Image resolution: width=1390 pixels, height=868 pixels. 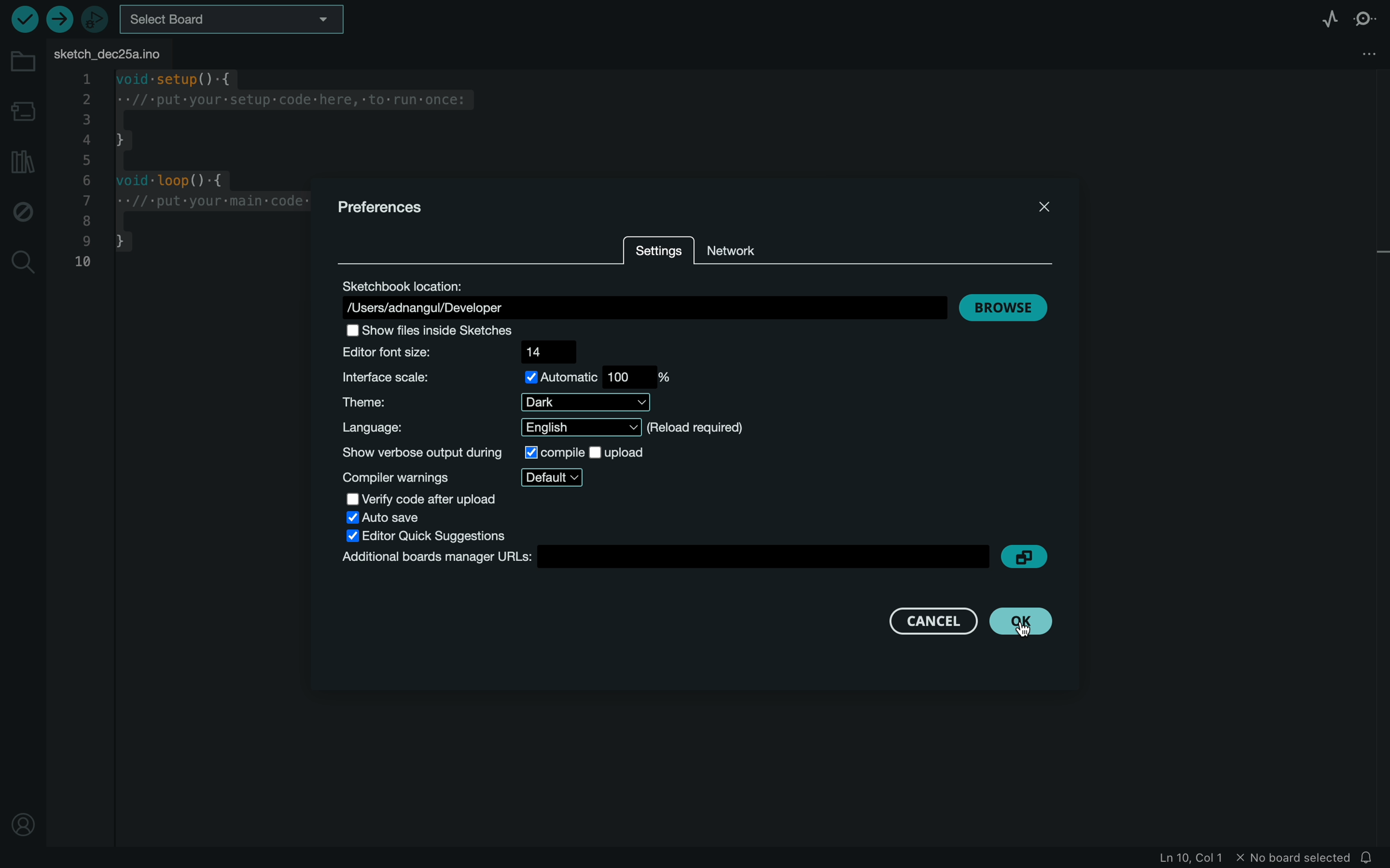 What do you see at coordinates (1329, 17) in the screenshot?
I see `serial  plotter` at bounding box center [1329, 17].